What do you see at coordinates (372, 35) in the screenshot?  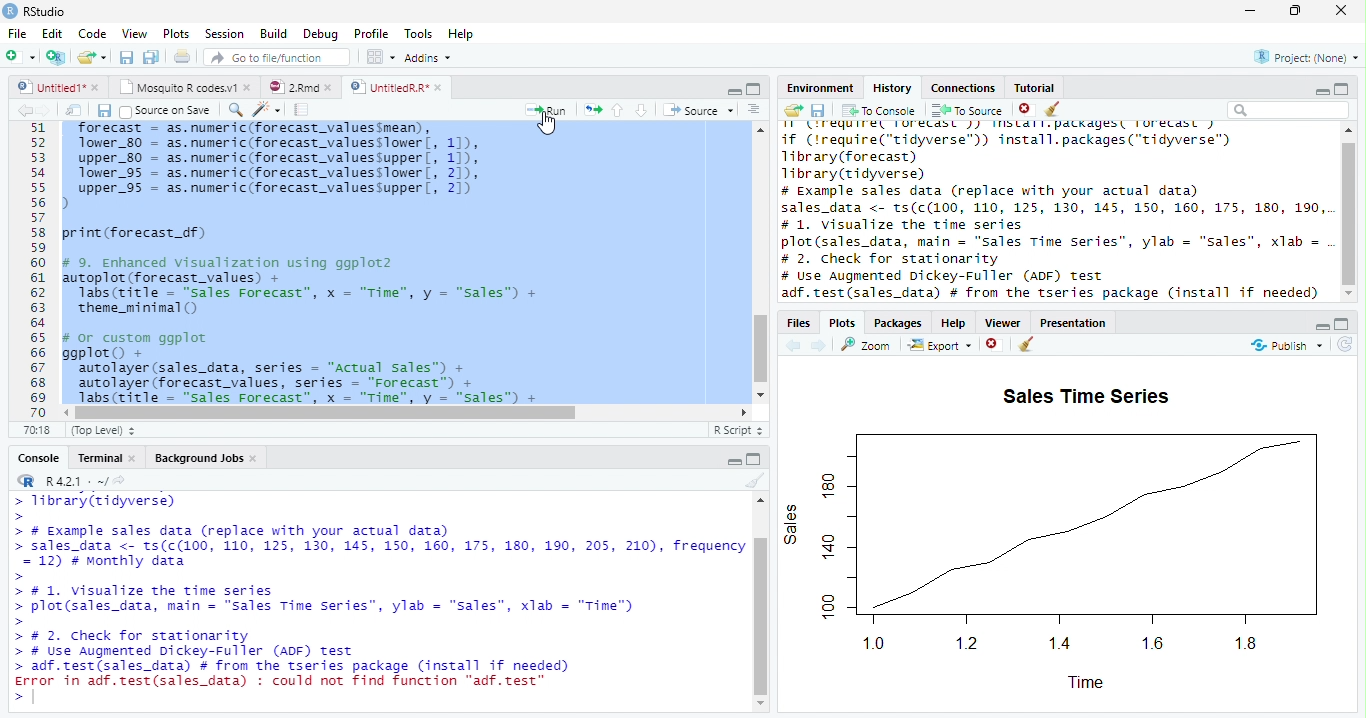 I see `Profile` at bounding box center [372, 35].